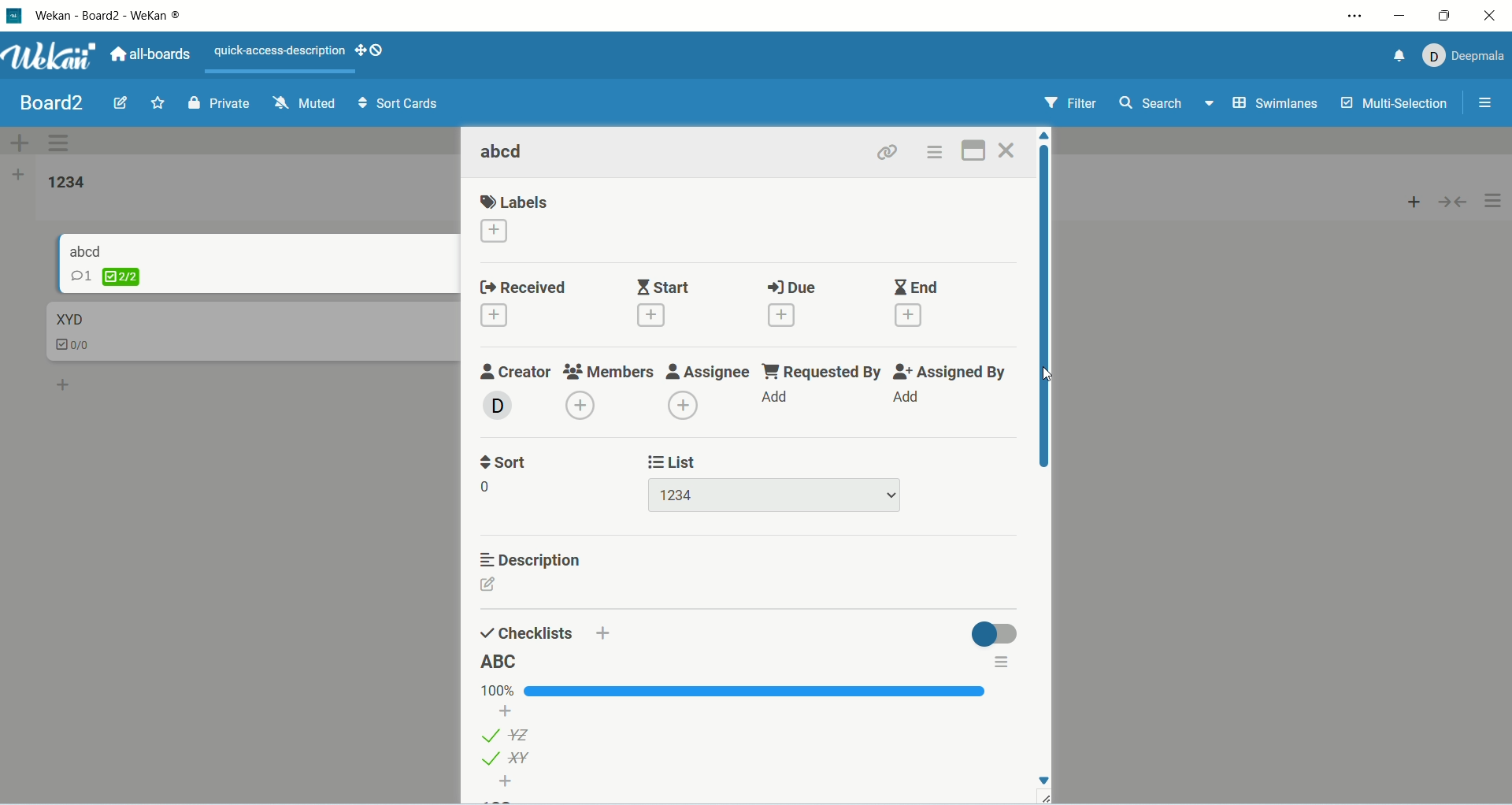 Image resolution: width=1512 pixels, height=805 pixels. Describe the element at coordinates (517, 202) in the screenshot. I see `labels` at that location.